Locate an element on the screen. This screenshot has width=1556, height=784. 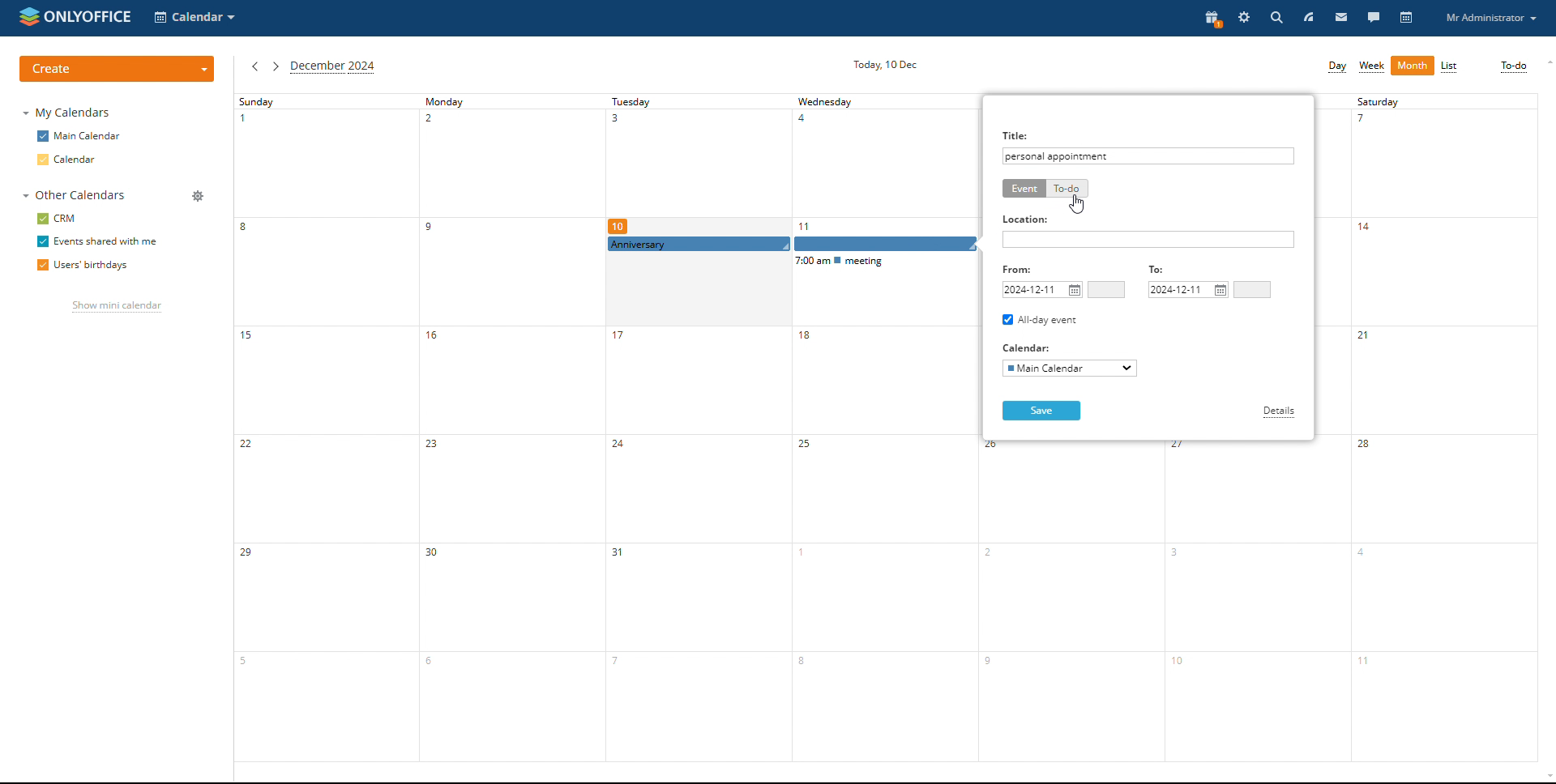
select application is located at coordinates (197, 19).